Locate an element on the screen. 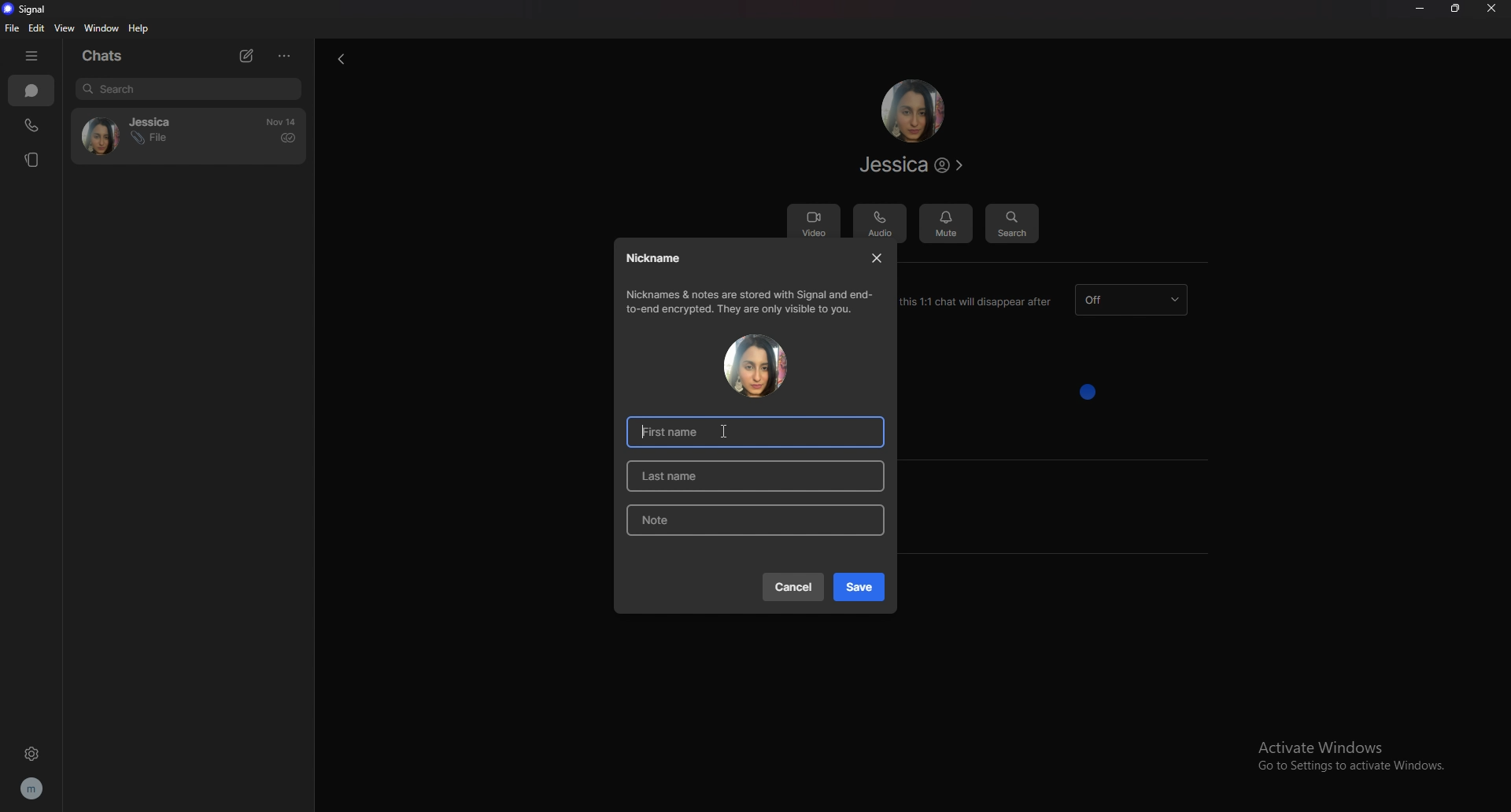 The height and width of the screenshot is (812, 1511). hide bar is located at coordinates (35, 55).